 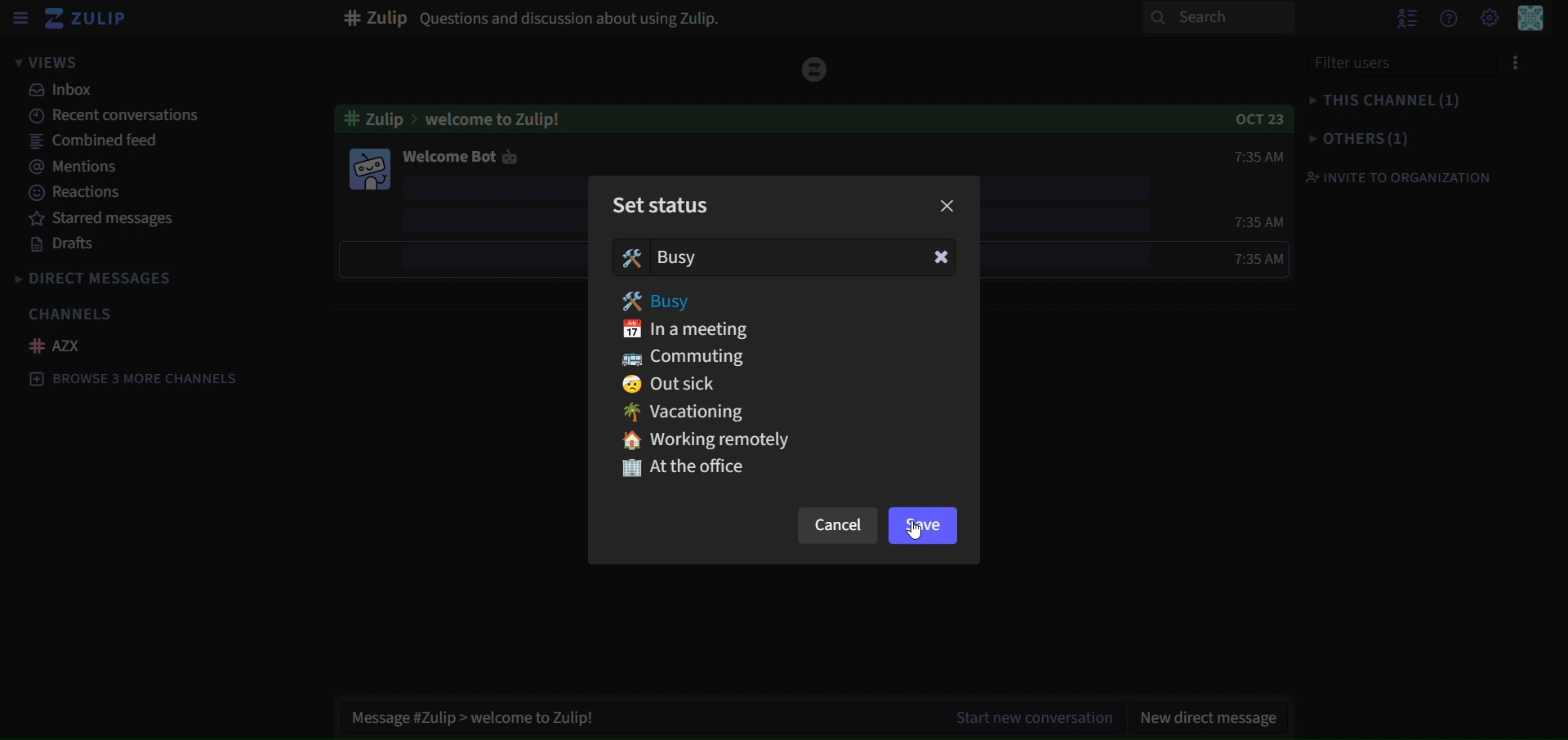 I want to click on At the office, so click(x=683, y=468).